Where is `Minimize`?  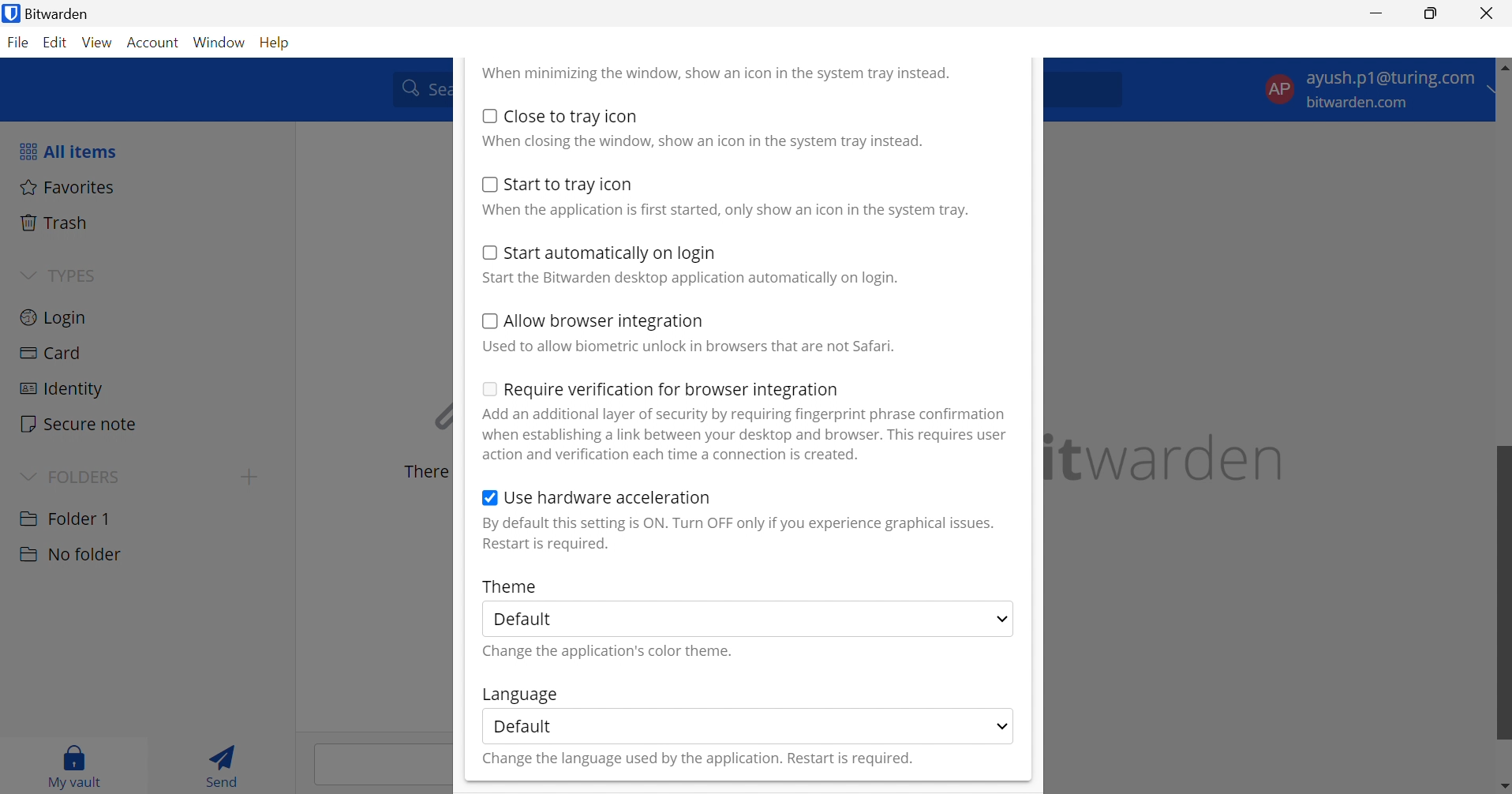 Minimize is located at coordinates (1377, 12).